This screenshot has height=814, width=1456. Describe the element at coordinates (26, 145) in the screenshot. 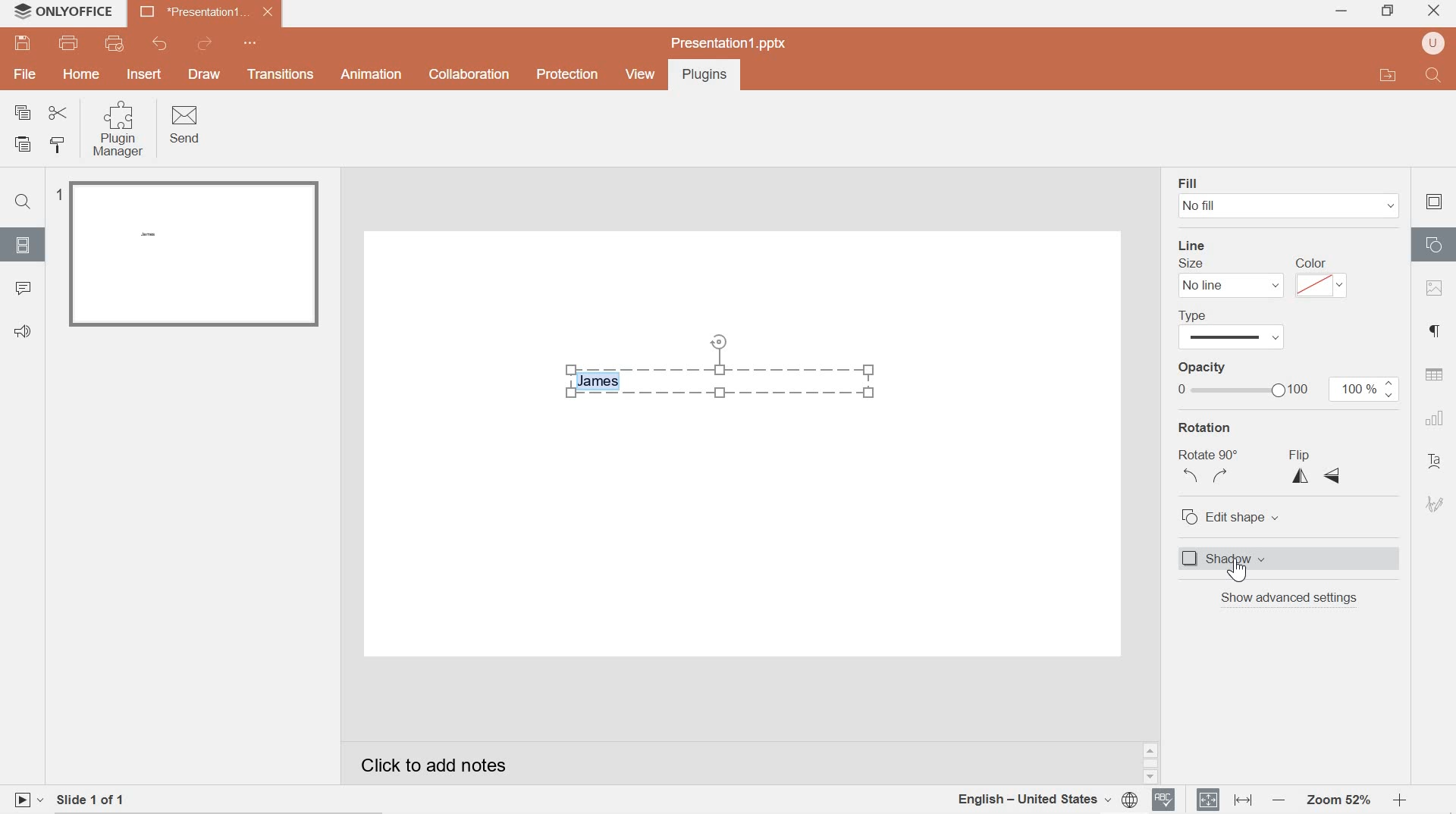

I see `paste` at that location.